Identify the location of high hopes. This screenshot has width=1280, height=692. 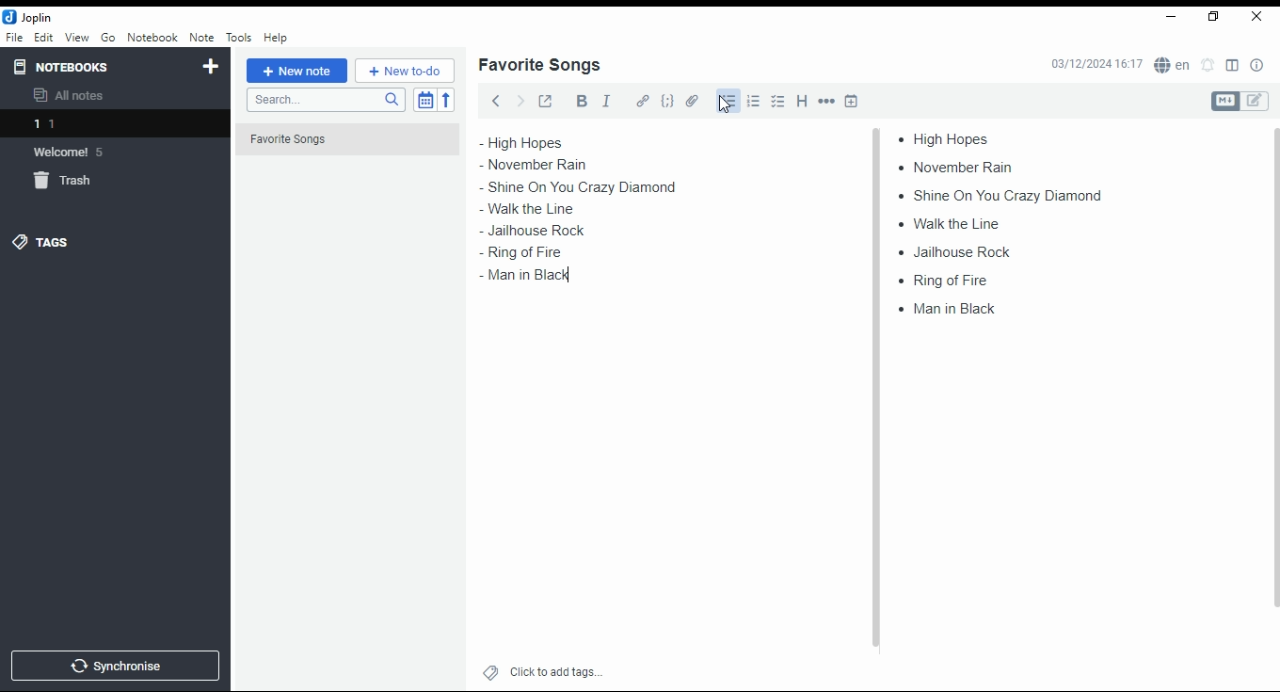
(547, 143).